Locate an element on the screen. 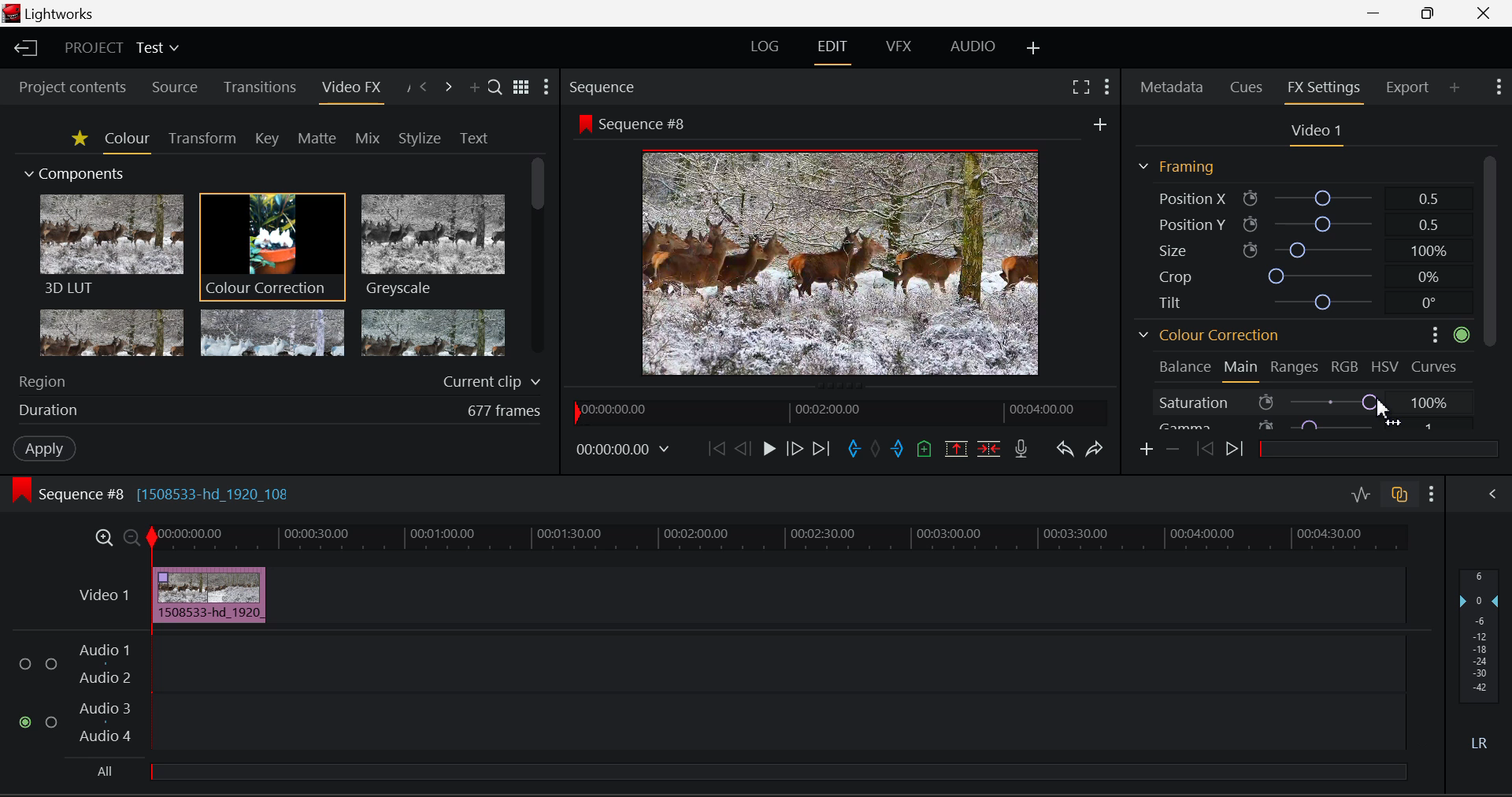 Image resolution: width=1512 pixels, height=797 pixels. EDIT Layout Open is located at coordinates (833, 50).